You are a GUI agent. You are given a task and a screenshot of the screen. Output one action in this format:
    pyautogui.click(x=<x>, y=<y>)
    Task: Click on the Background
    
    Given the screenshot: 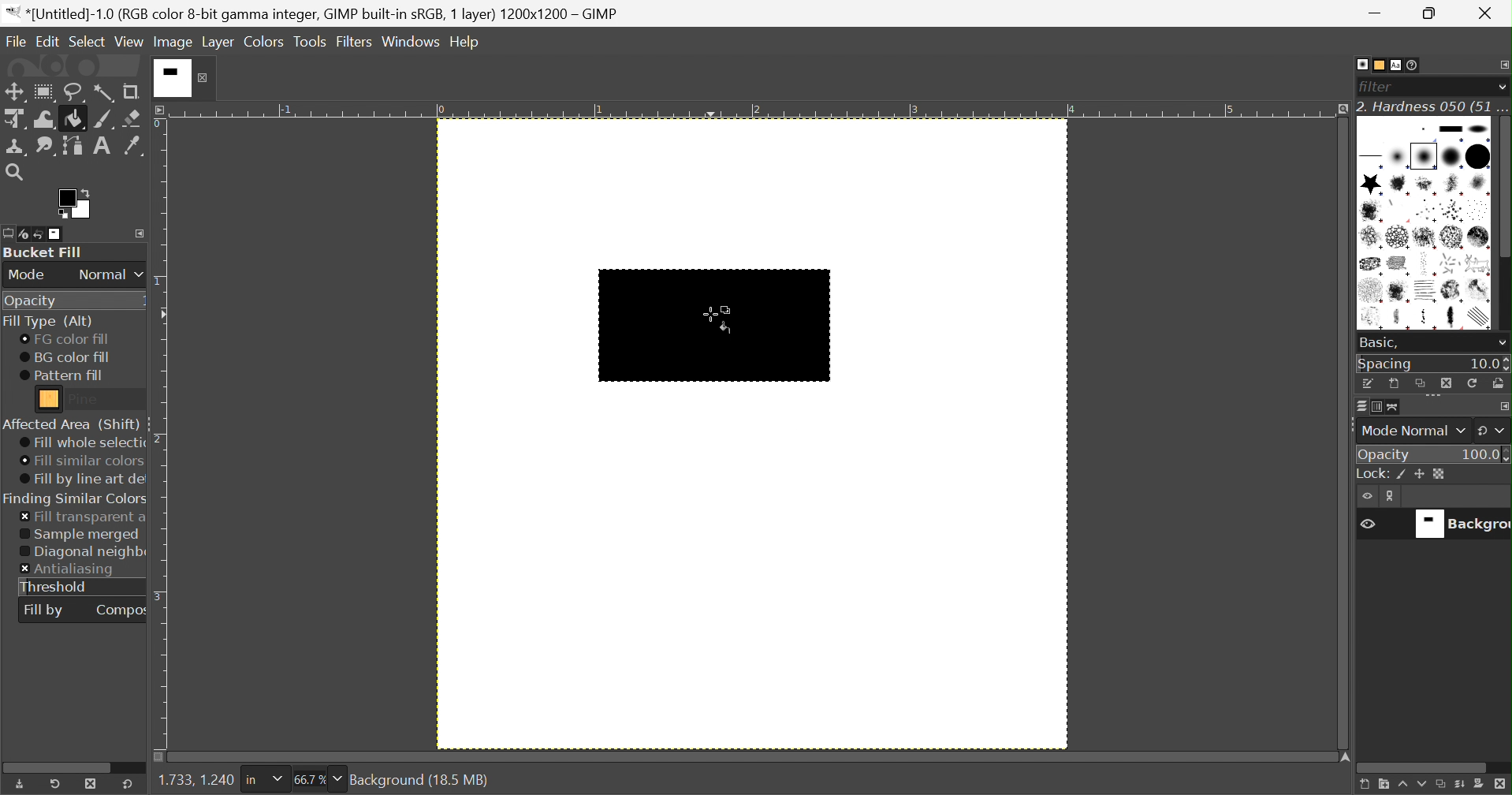 What is the action you would take?
    pyautogui.click(x=1458, y=524)
    